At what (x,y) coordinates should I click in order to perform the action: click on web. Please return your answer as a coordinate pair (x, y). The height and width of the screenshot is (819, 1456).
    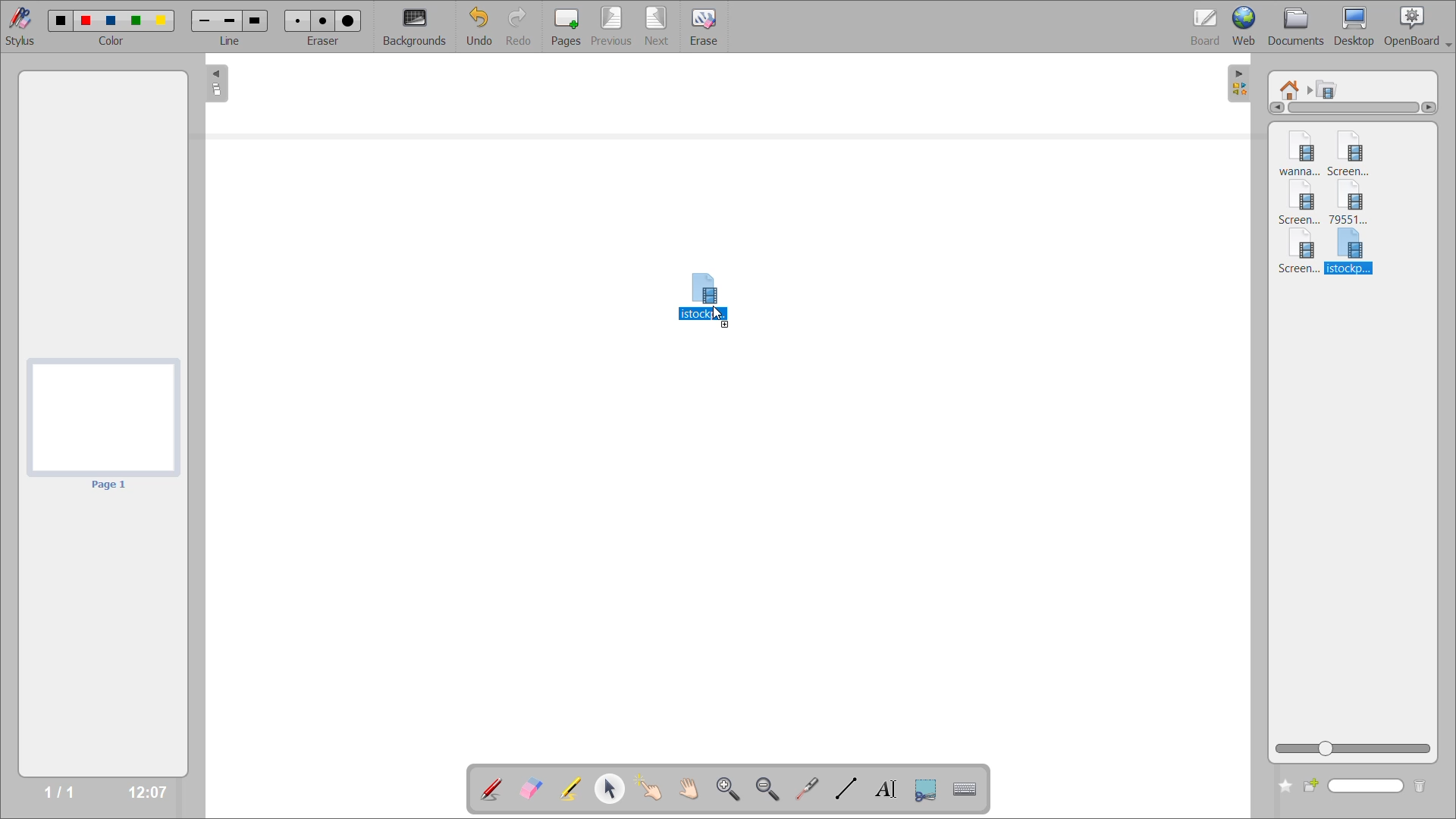
    Looking at the image, I should click on (1246, 27).